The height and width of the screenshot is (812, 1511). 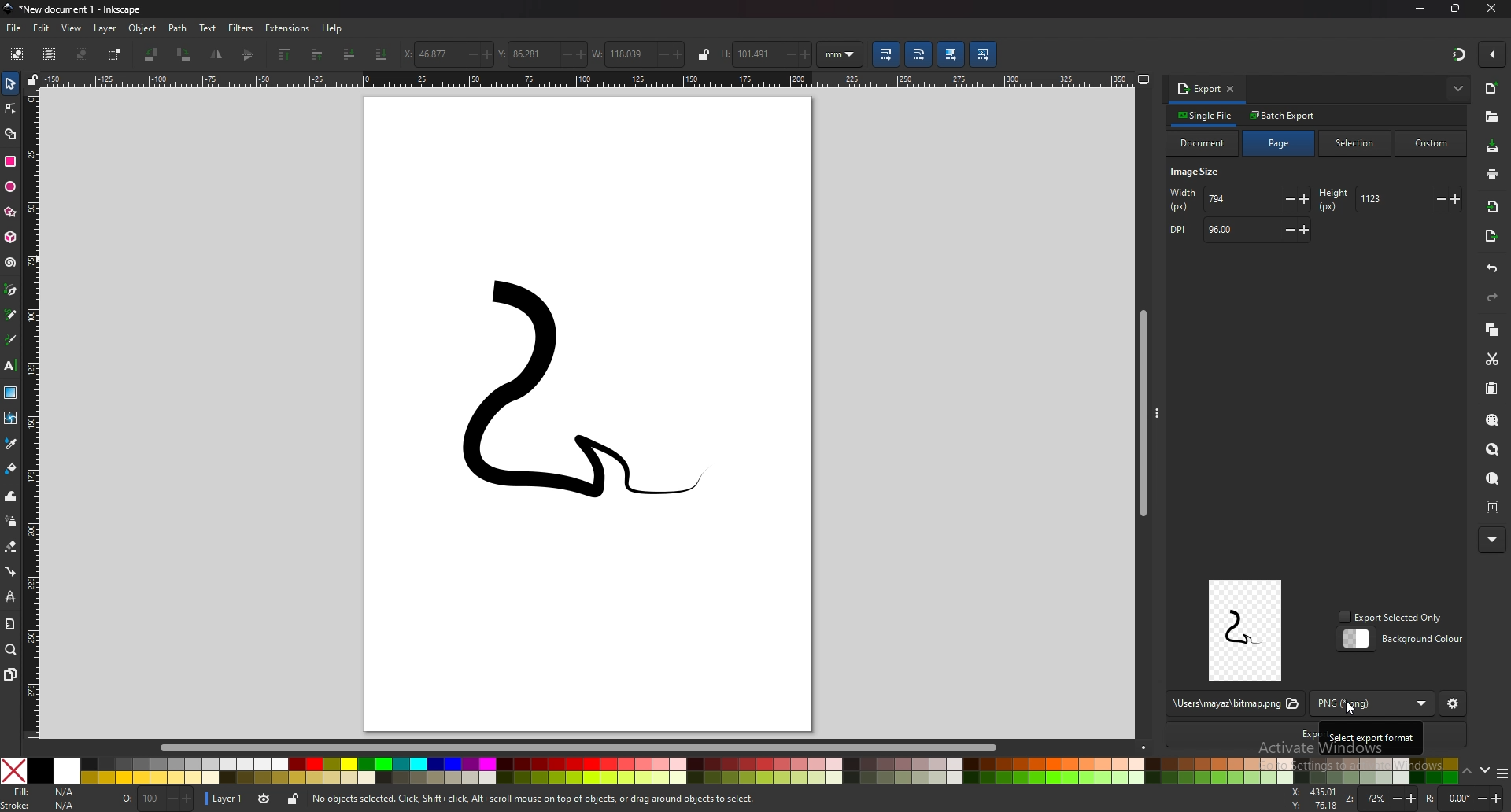 What do you see at coordinates (1467, 771) in the screenshot?
I see `up` at bounding box center [1467, 771].